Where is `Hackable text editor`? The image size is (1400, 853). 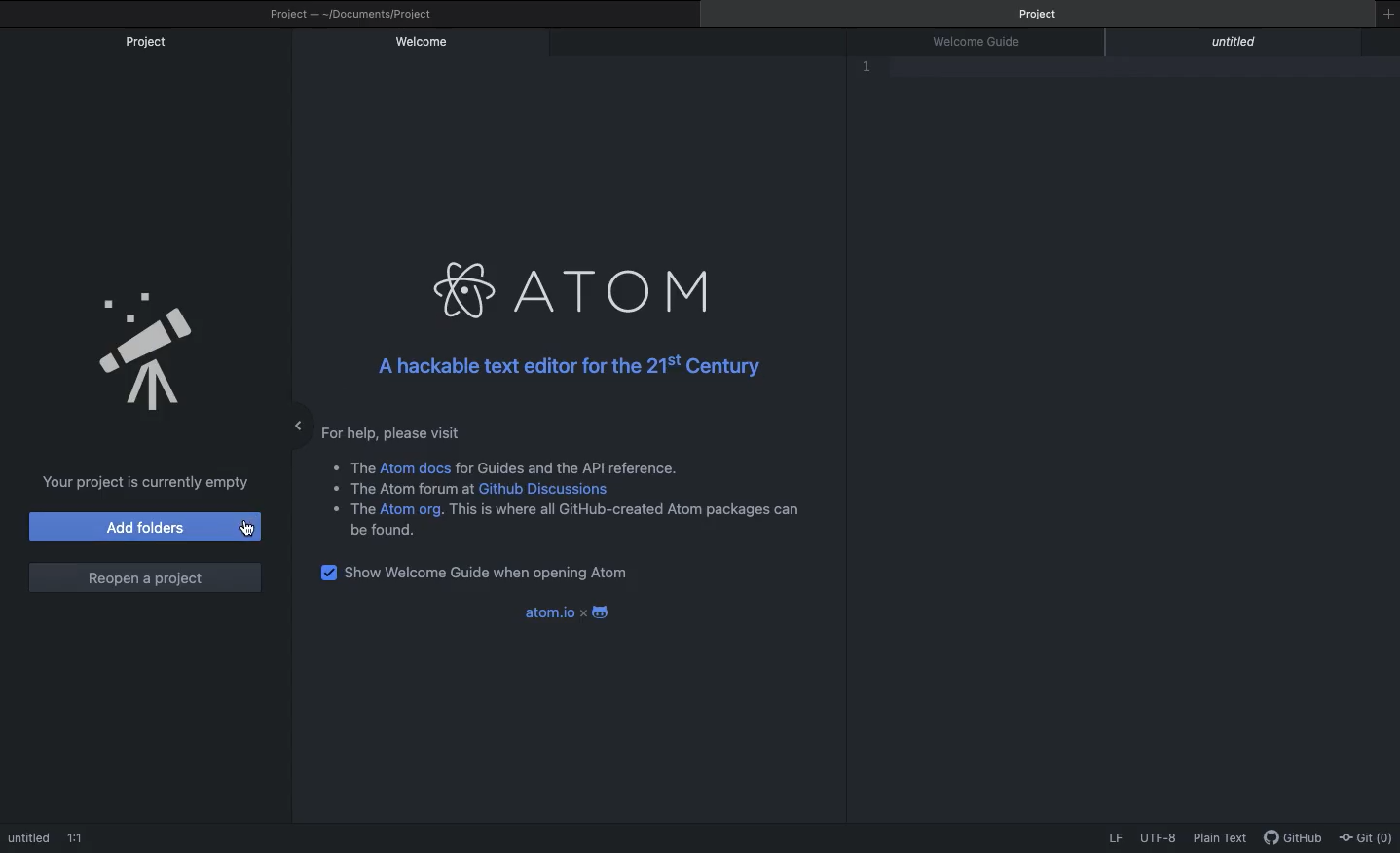 Hackable text editor is located at coordinates (571, 367).